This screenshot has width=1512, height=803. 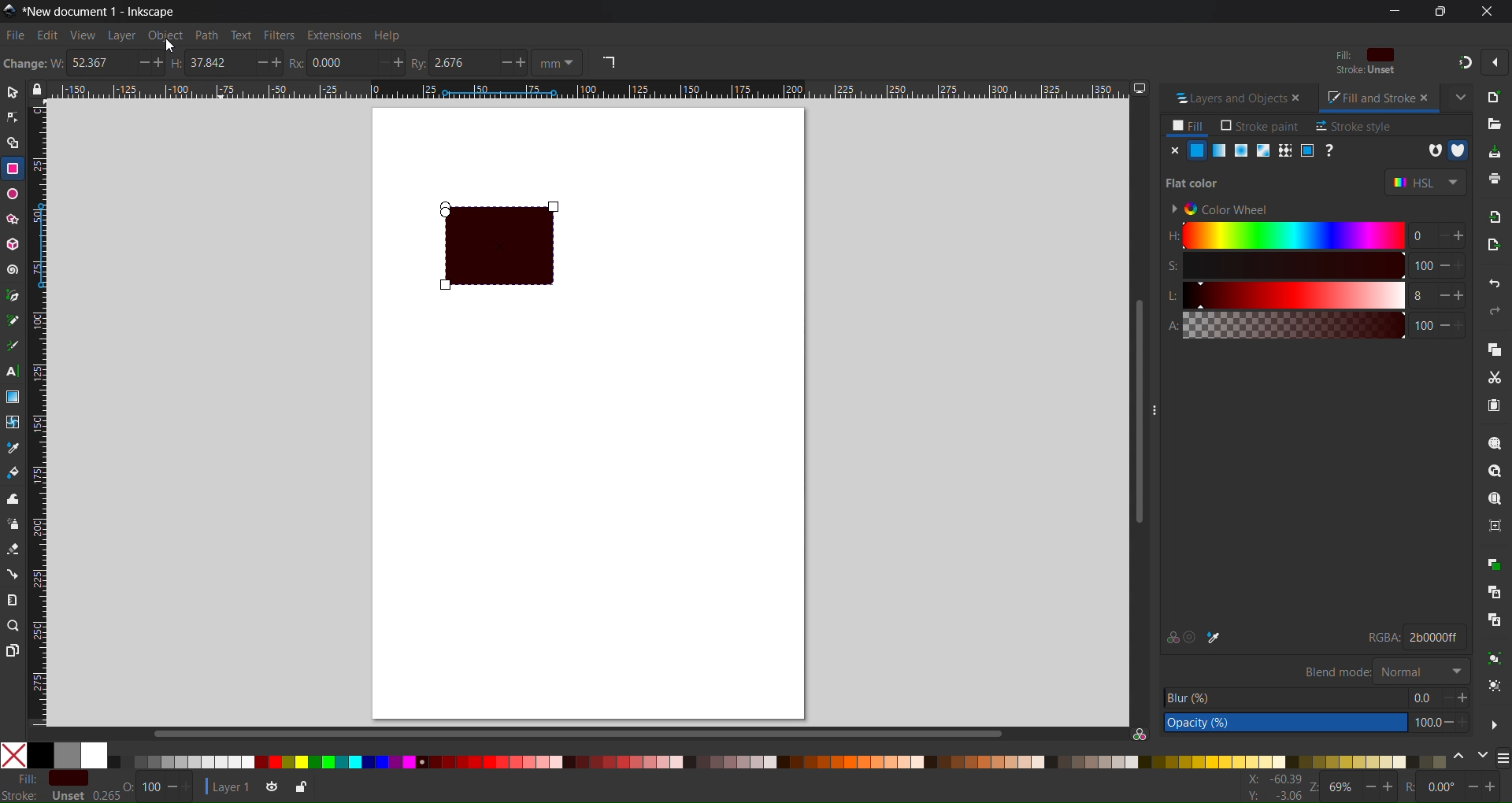 I want to click on Vertical radius of rounded corner     2.676, so click(x=461, y=63).